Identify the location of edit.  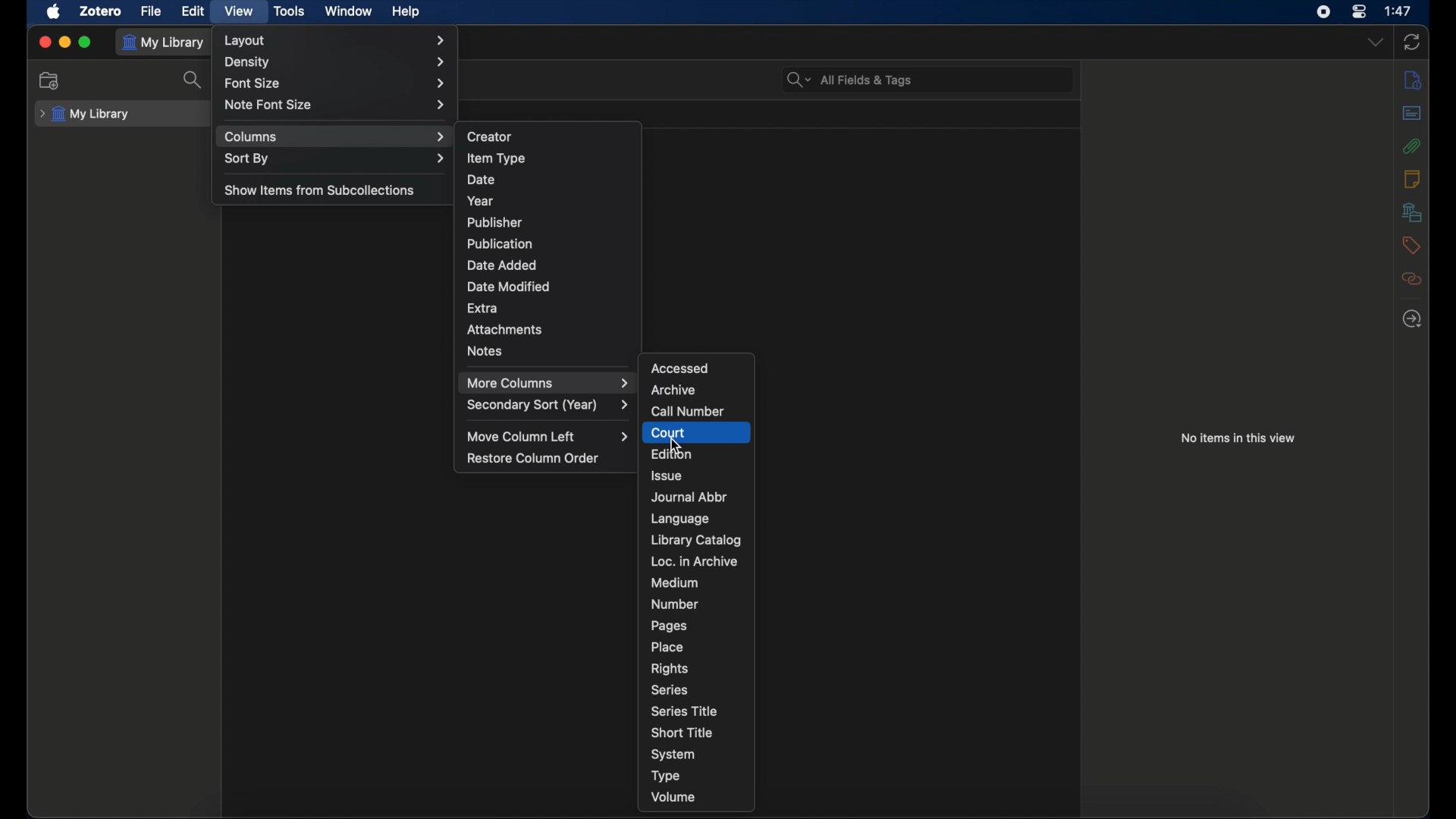
(193, 11).